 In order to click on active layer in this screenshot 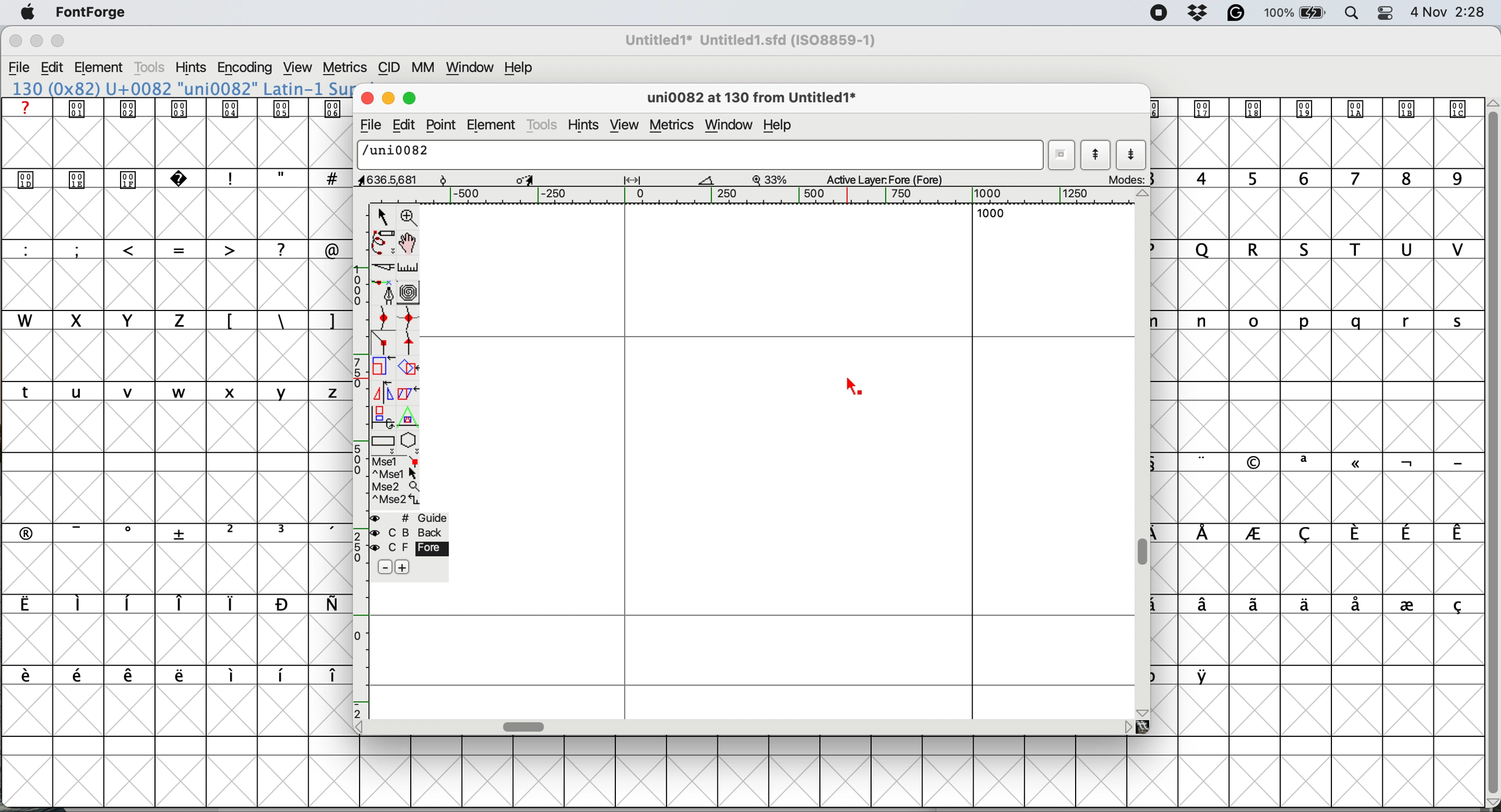, I will do `click(896, 178)`.